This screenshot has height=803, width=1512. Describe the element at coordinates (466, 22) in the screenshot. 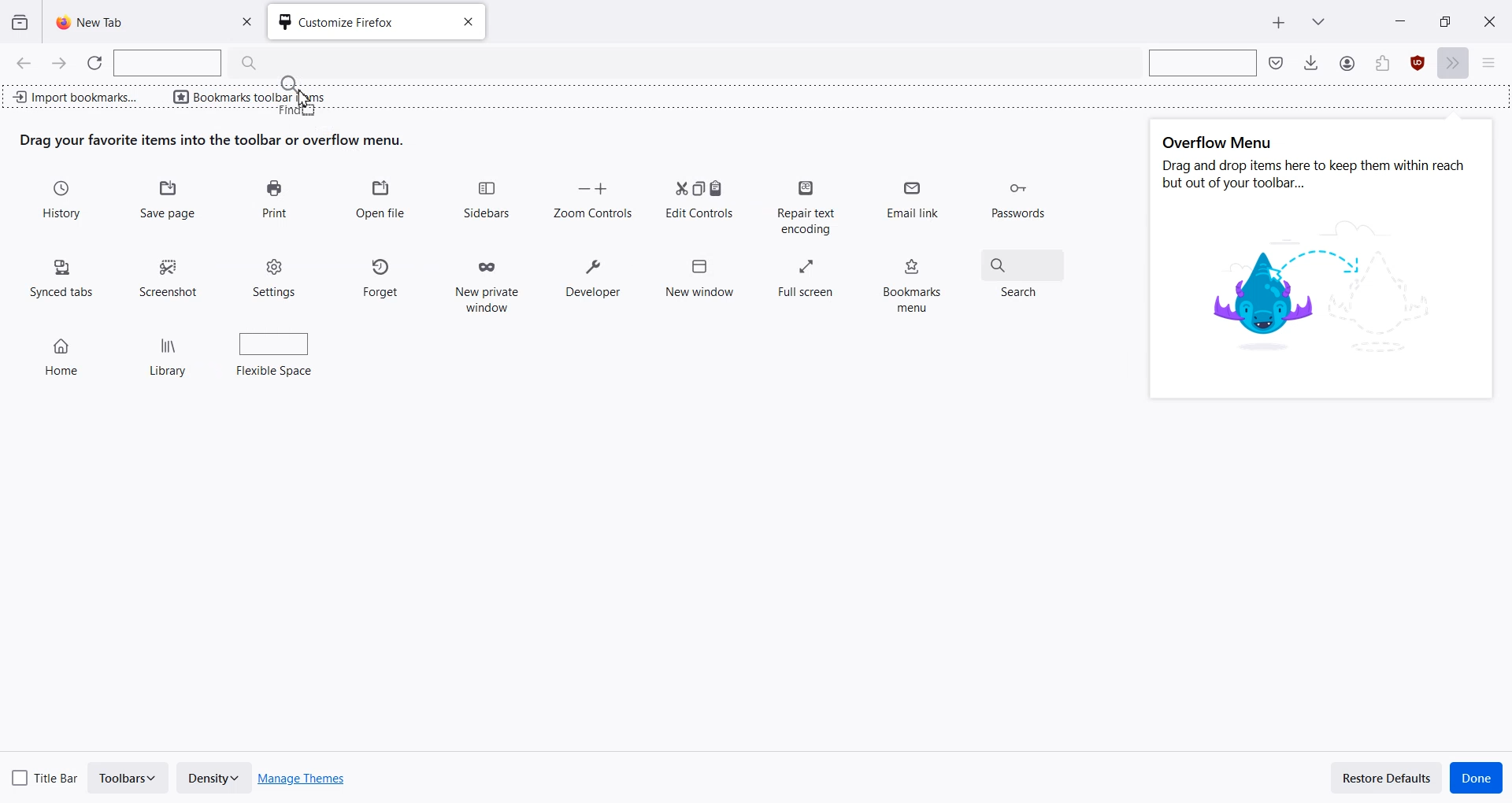

I see `Close tab` at that location.